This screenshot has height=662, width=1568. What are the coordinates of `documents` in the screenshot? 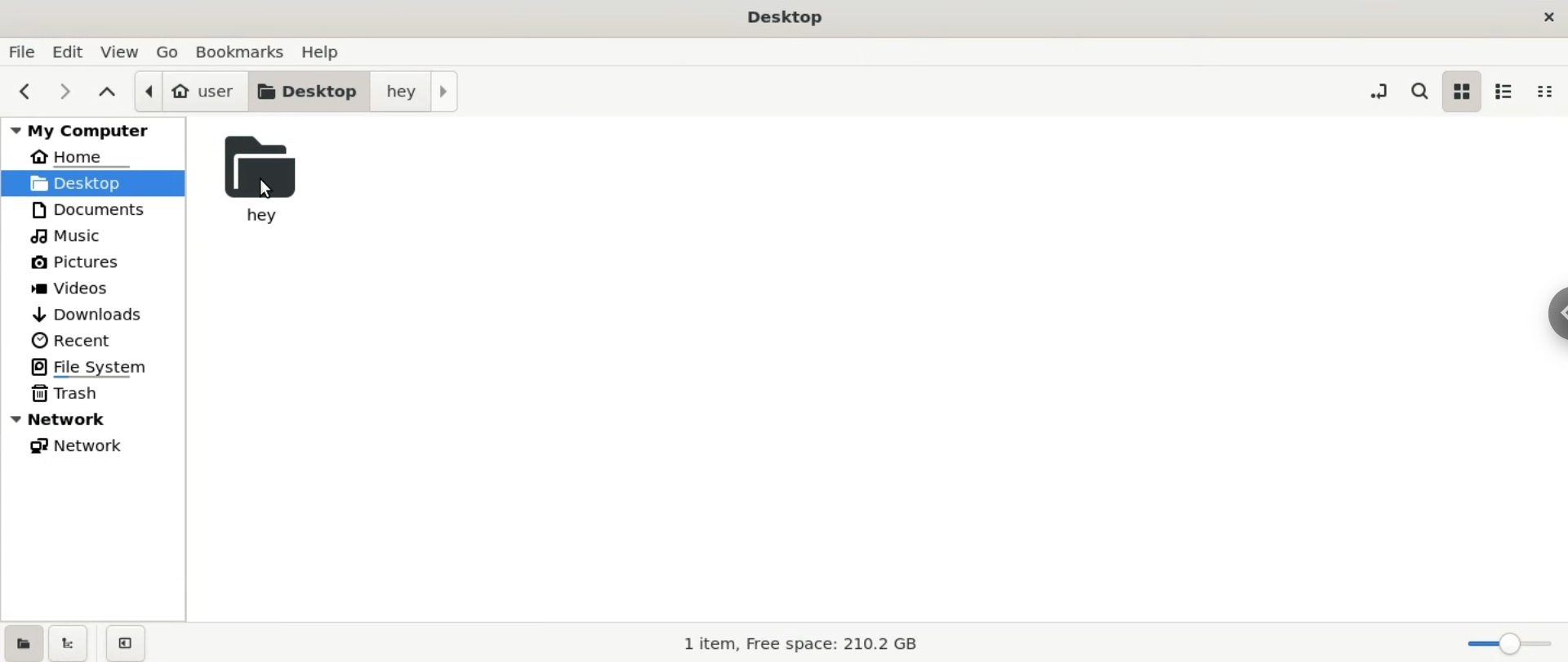 It's located at (93, 211).